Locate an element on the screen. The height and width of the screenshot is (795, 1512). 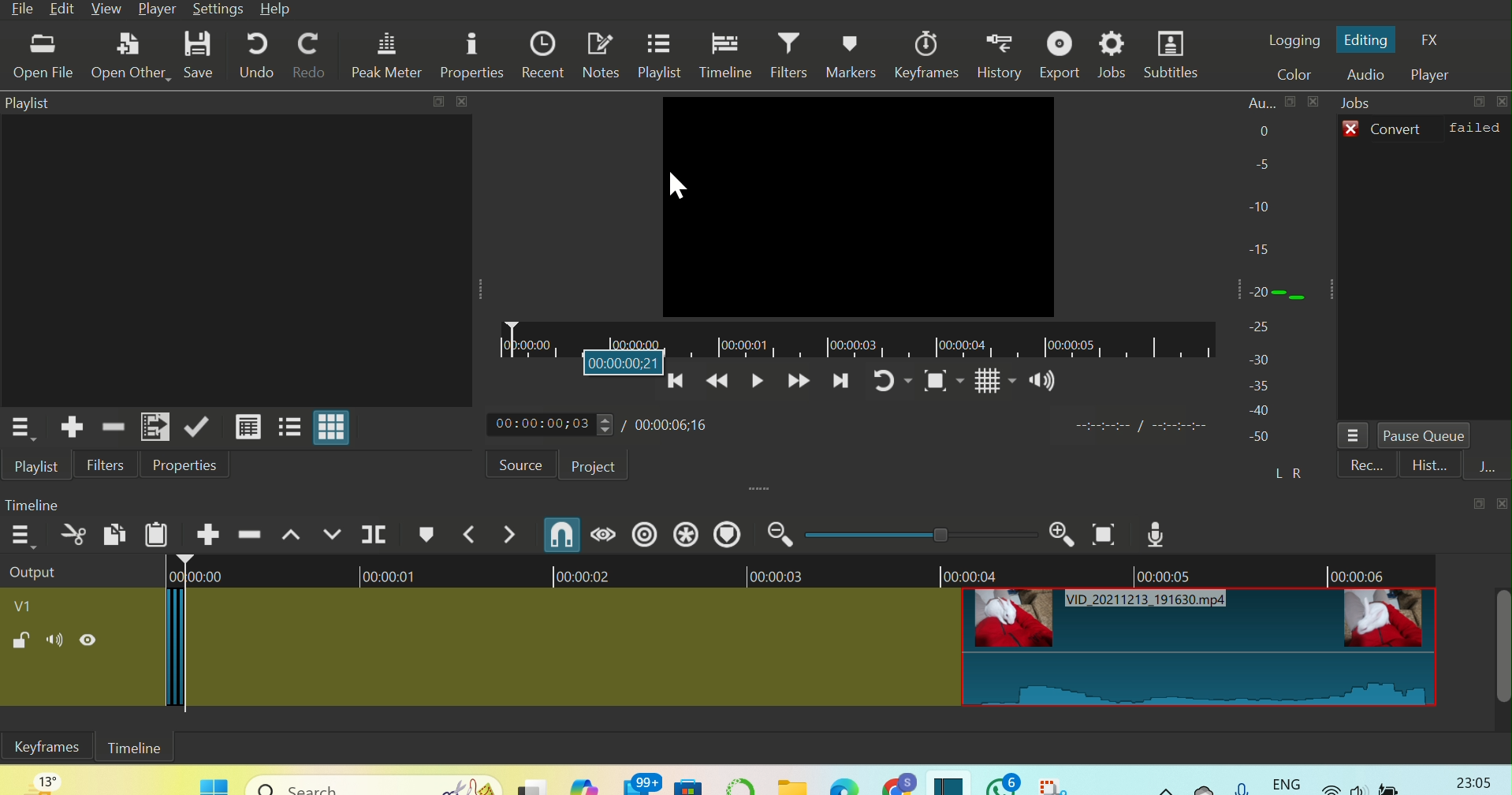
Jobs is located at coordinates (1368, 102).